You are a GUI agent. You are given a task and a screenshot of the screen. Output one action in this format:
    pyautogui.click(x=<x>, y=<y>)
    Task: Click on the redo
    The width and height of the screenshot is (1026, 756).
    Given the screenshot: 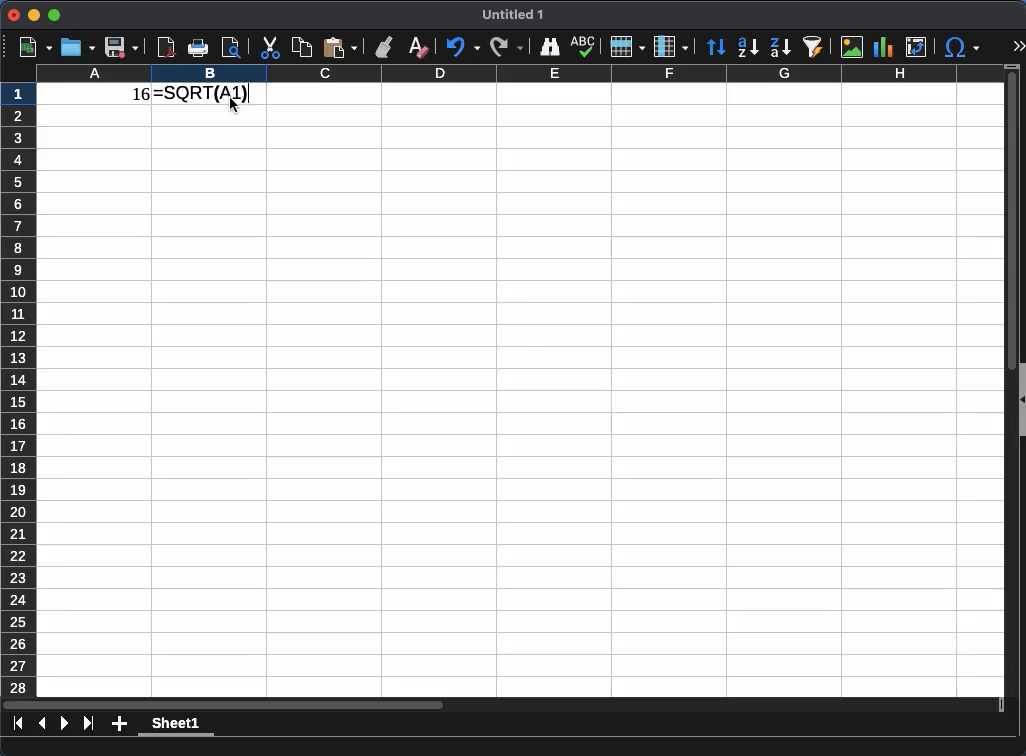 What is the action you would take?
    pyautogui.click(x=507, y=47)
    